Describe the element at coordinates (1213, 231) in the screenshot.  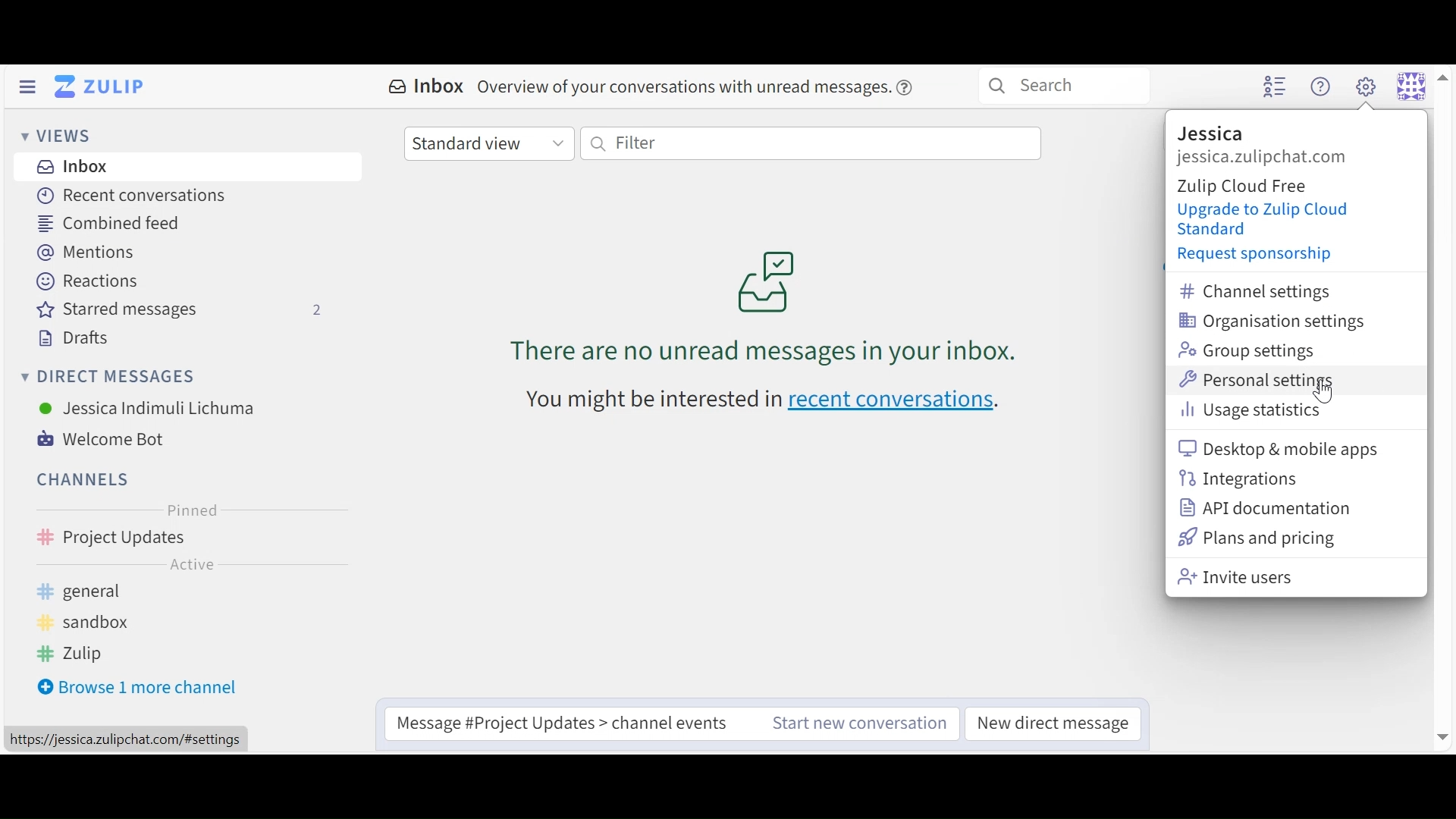
I see `Standard` at that location.